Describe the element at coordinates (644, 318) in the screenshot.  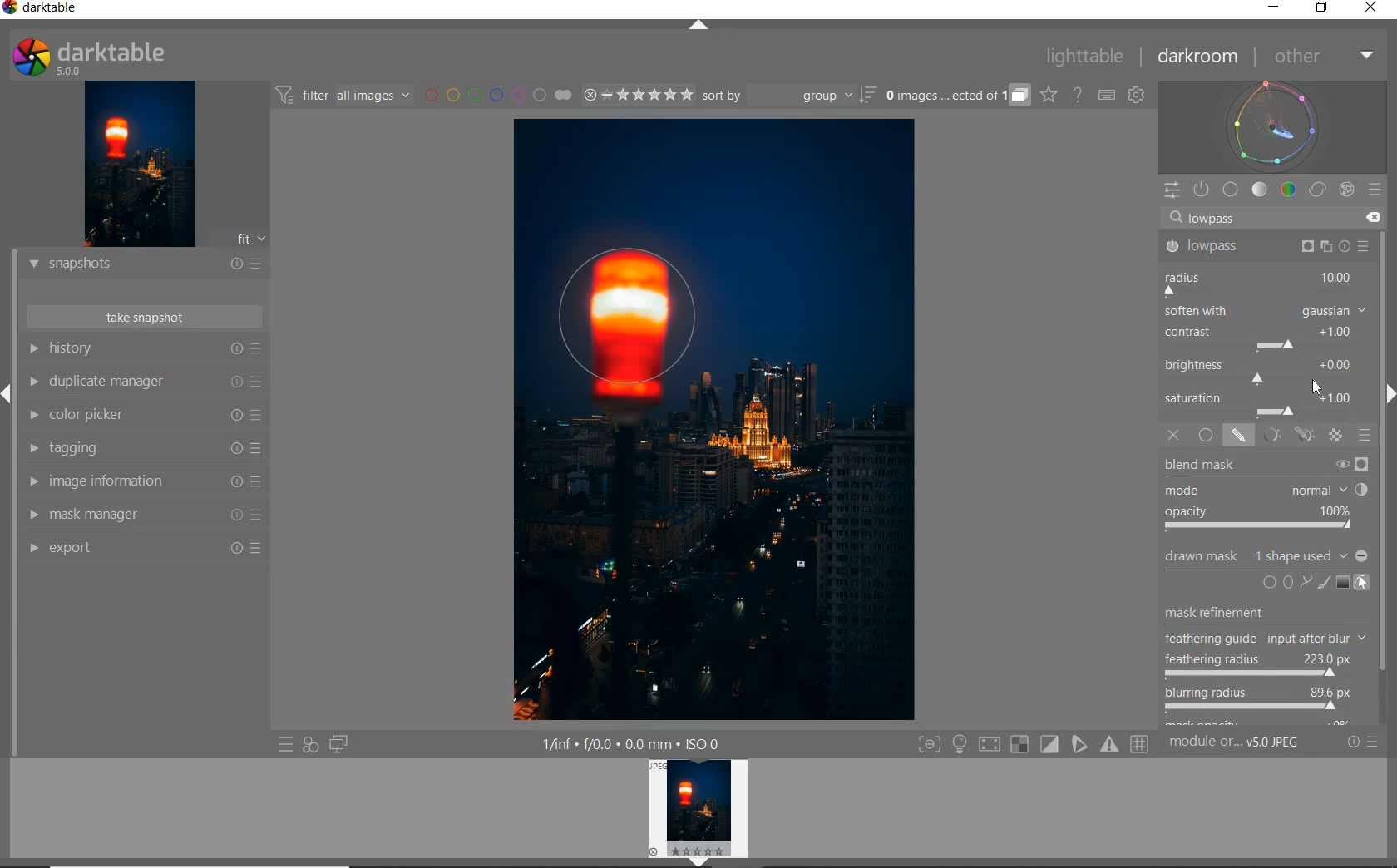
I see `DRAWN CIRCLE MASK` at that location.